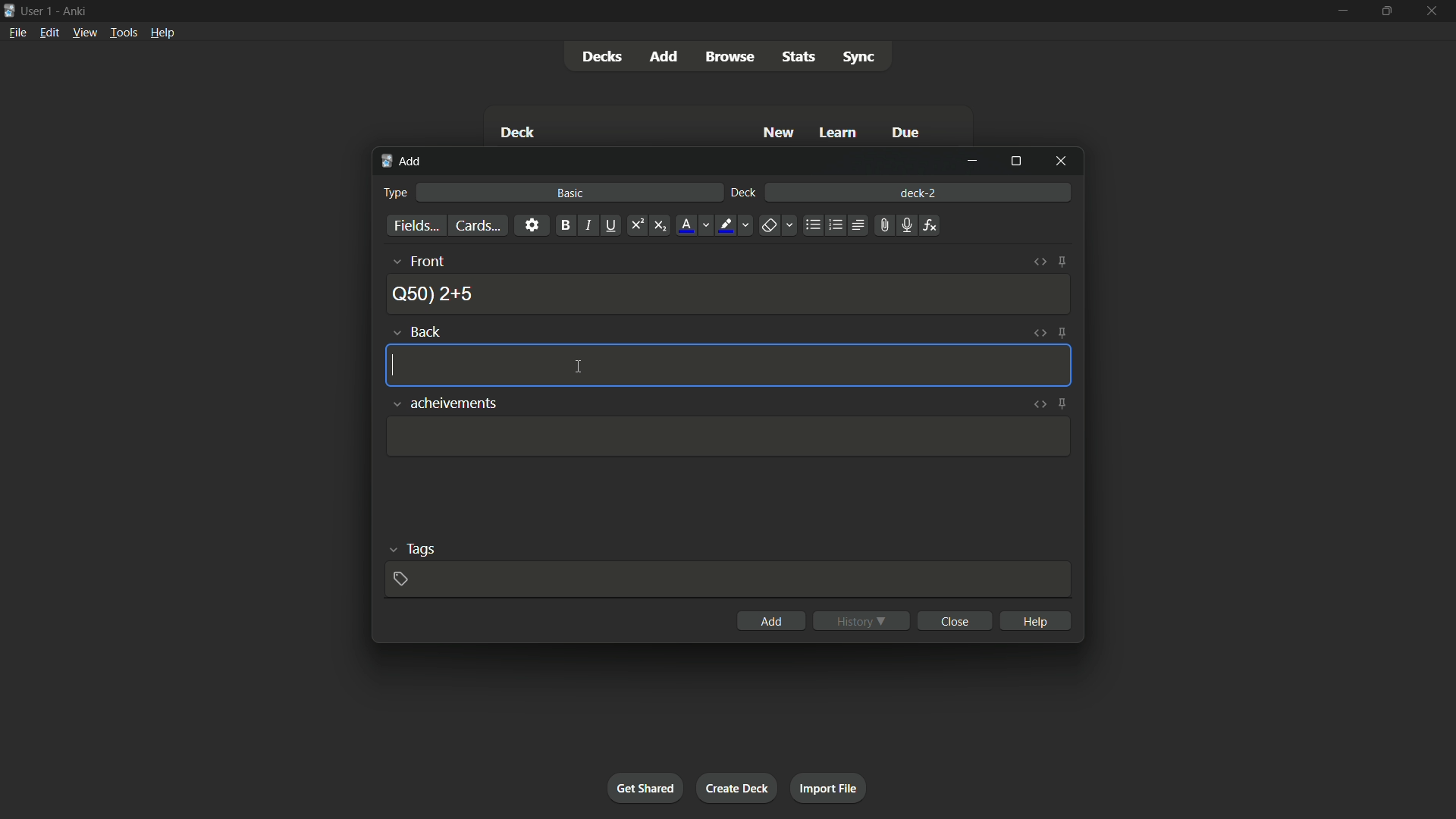  I want to click on toggle sticky, so click(1062, 263).